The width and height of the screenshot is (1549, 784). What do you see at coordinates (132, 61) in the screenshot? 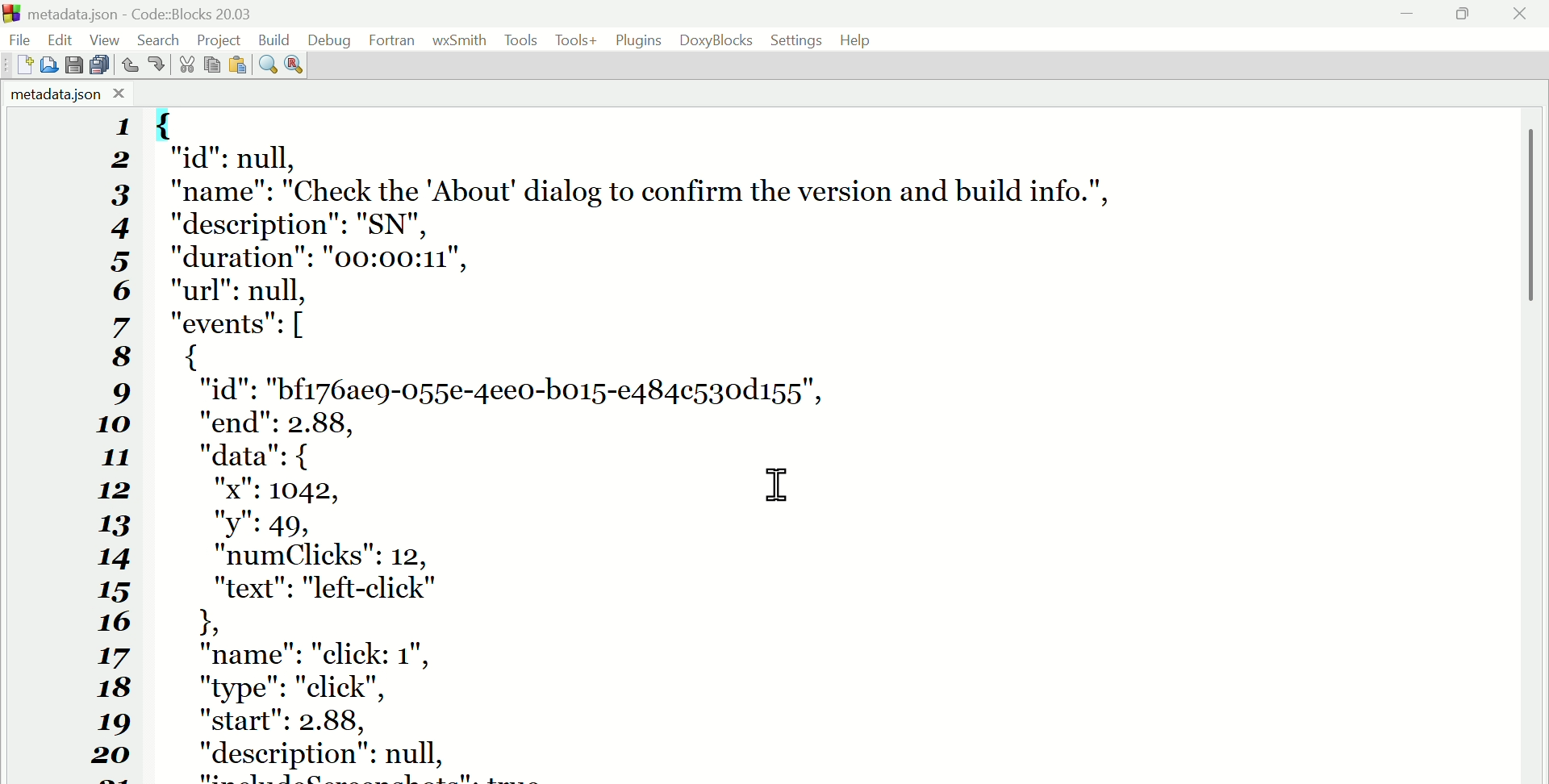
I see `Undo` at bounding box center [132, 61].